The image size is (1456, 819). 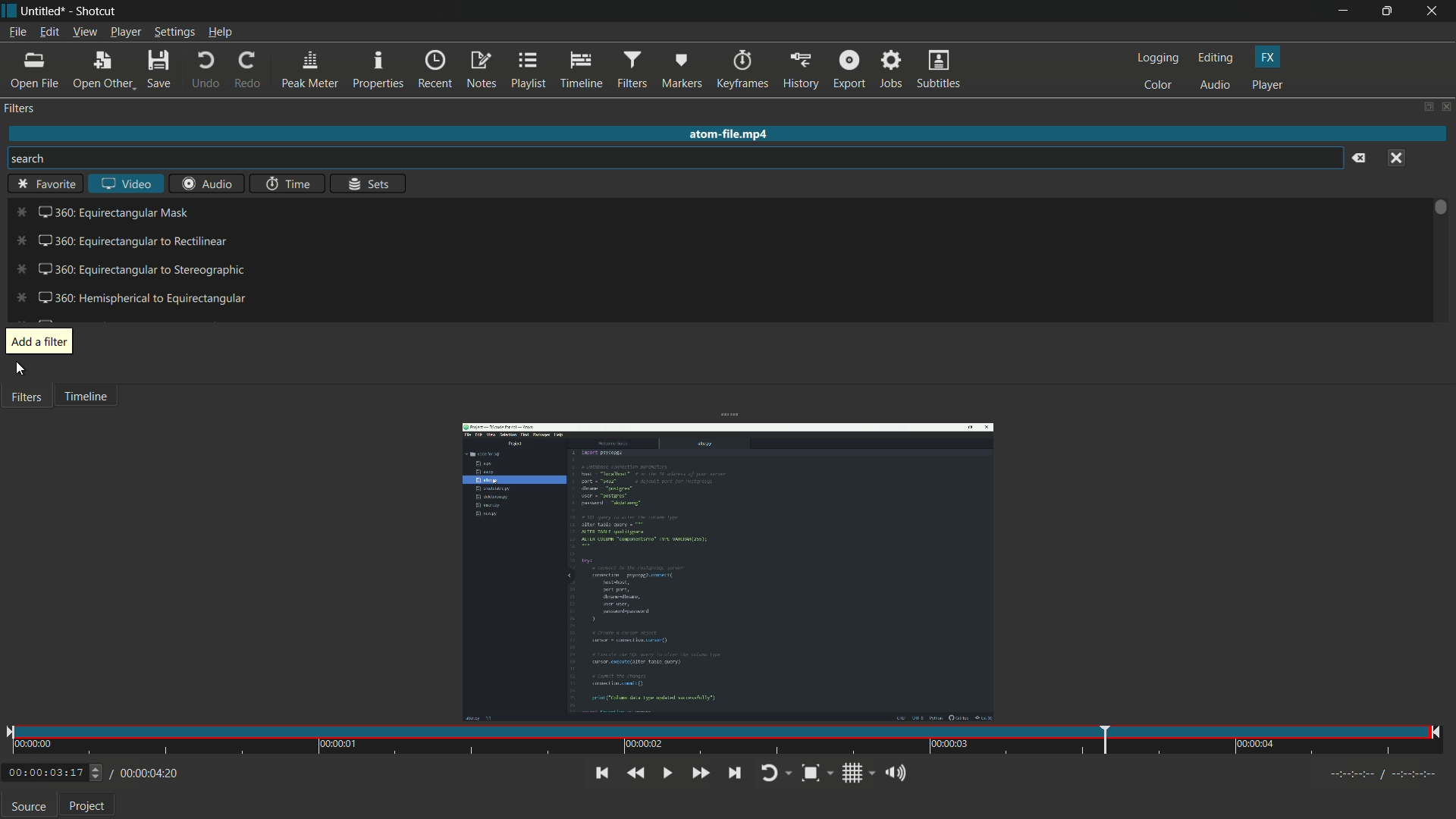 What do you see at coordinates (667, 774) in the screenshot?
I see `toggle play or pause` at bounding box center [667, 774].